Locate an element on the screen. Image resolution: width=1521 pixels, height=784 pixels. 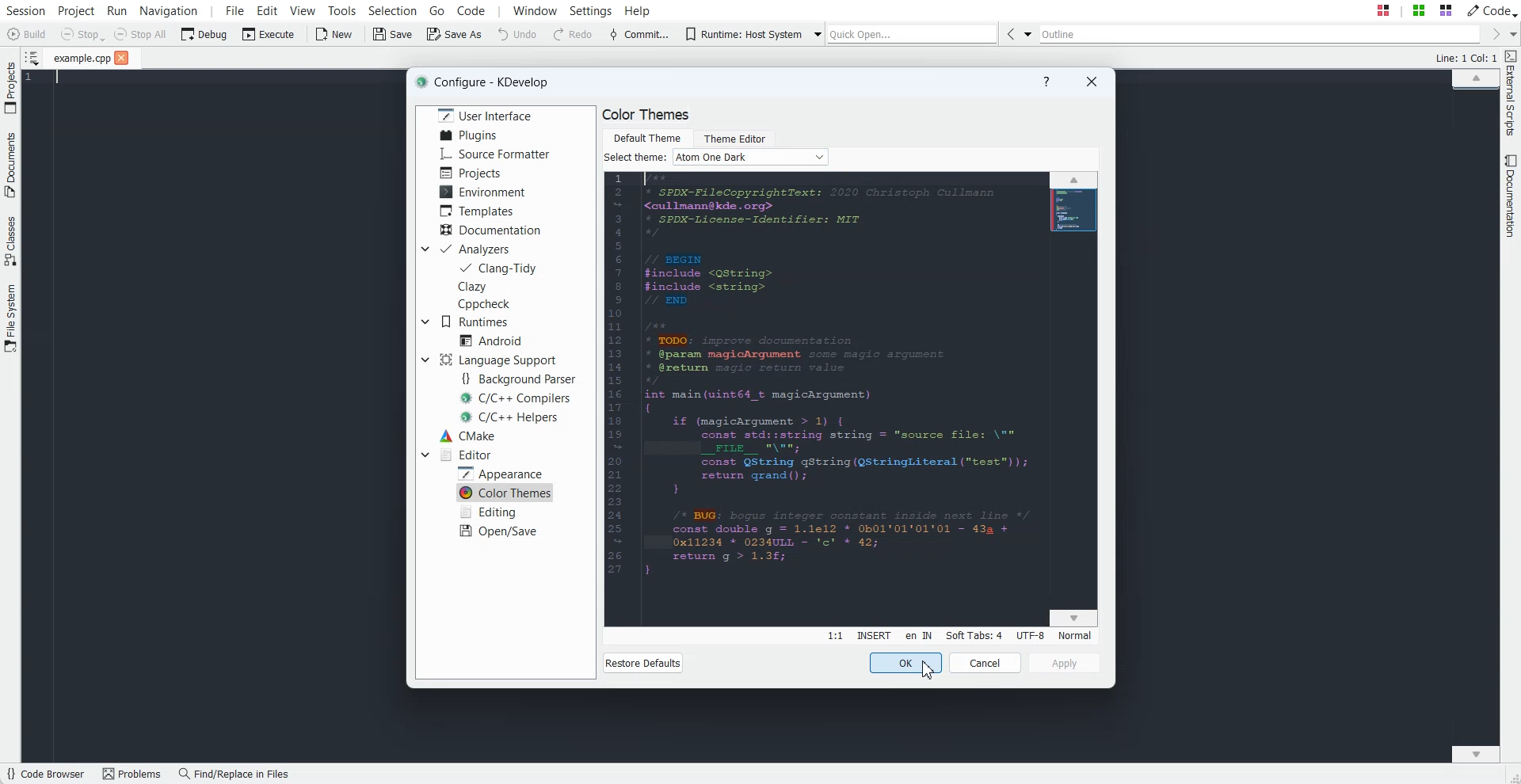
CppCheck is located at coordinates (487, 304).